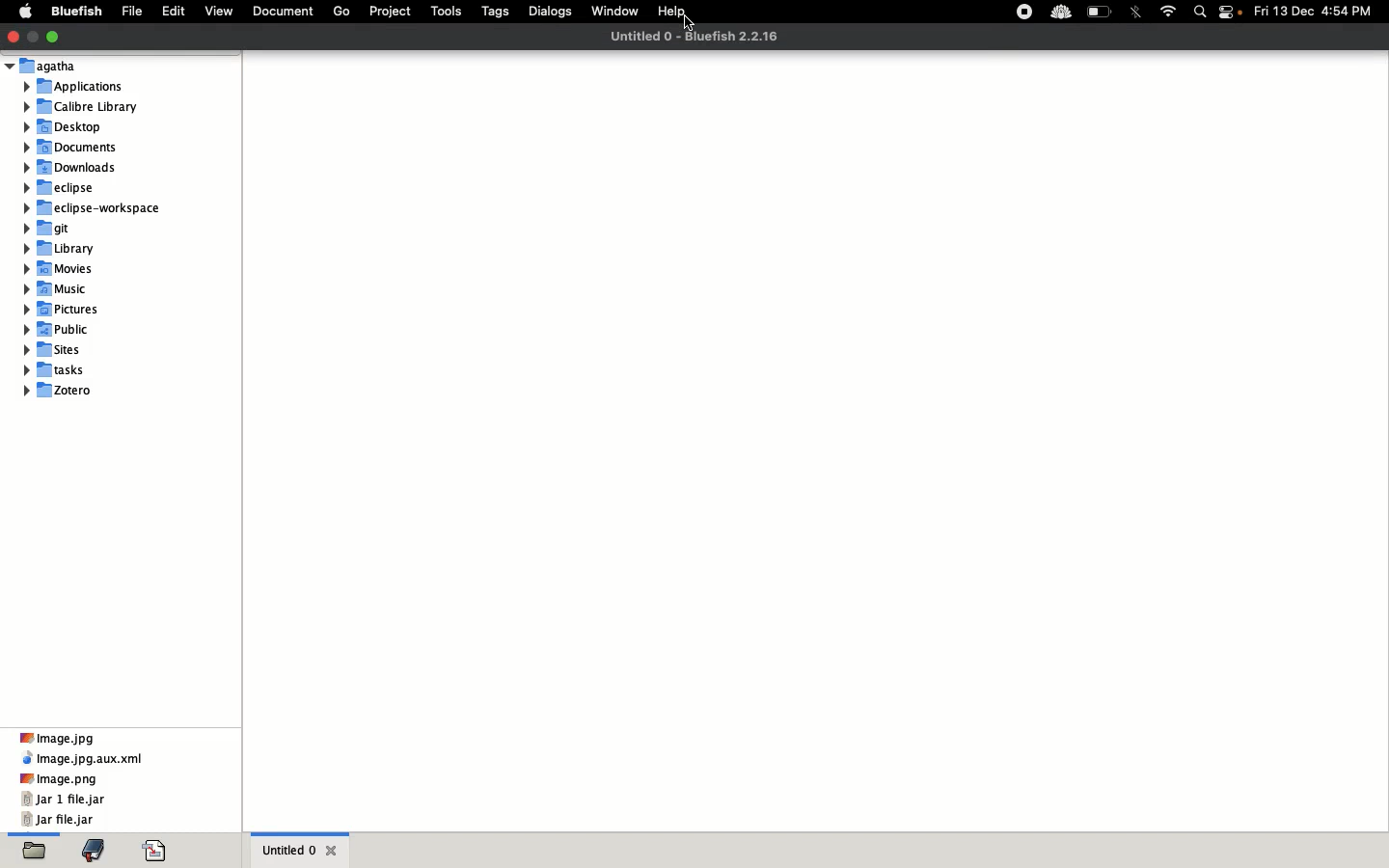  Describe the element at coordinates (131, 10) in the screenshot. I see `File` at that location.